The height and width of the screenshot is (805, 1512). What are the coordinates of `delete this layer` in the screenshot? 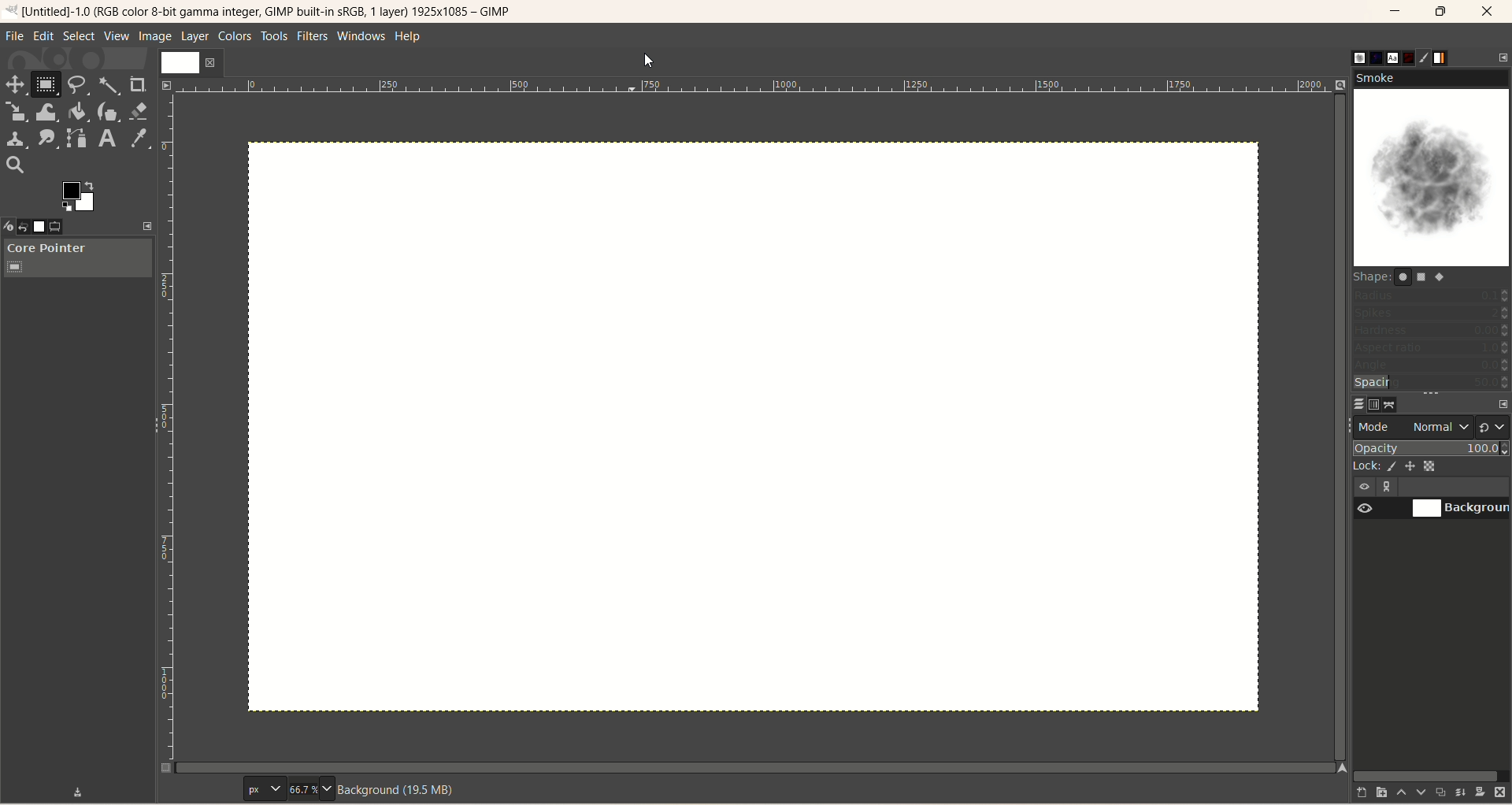 It's located at (1501, 793).